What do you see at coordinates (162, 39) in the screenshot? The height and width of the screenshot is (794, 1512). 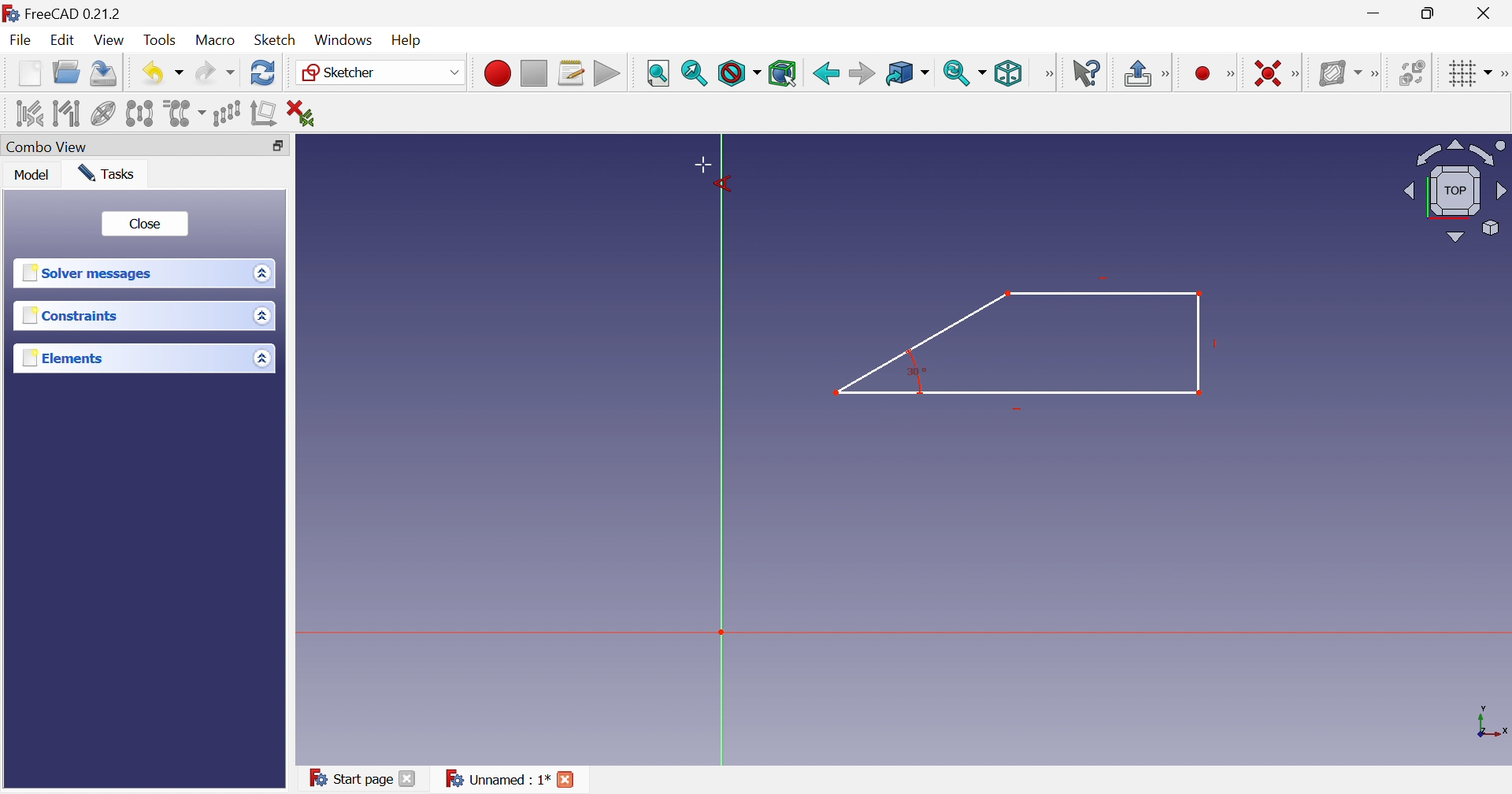 I see `Tools` at bounding box center [162, 39].